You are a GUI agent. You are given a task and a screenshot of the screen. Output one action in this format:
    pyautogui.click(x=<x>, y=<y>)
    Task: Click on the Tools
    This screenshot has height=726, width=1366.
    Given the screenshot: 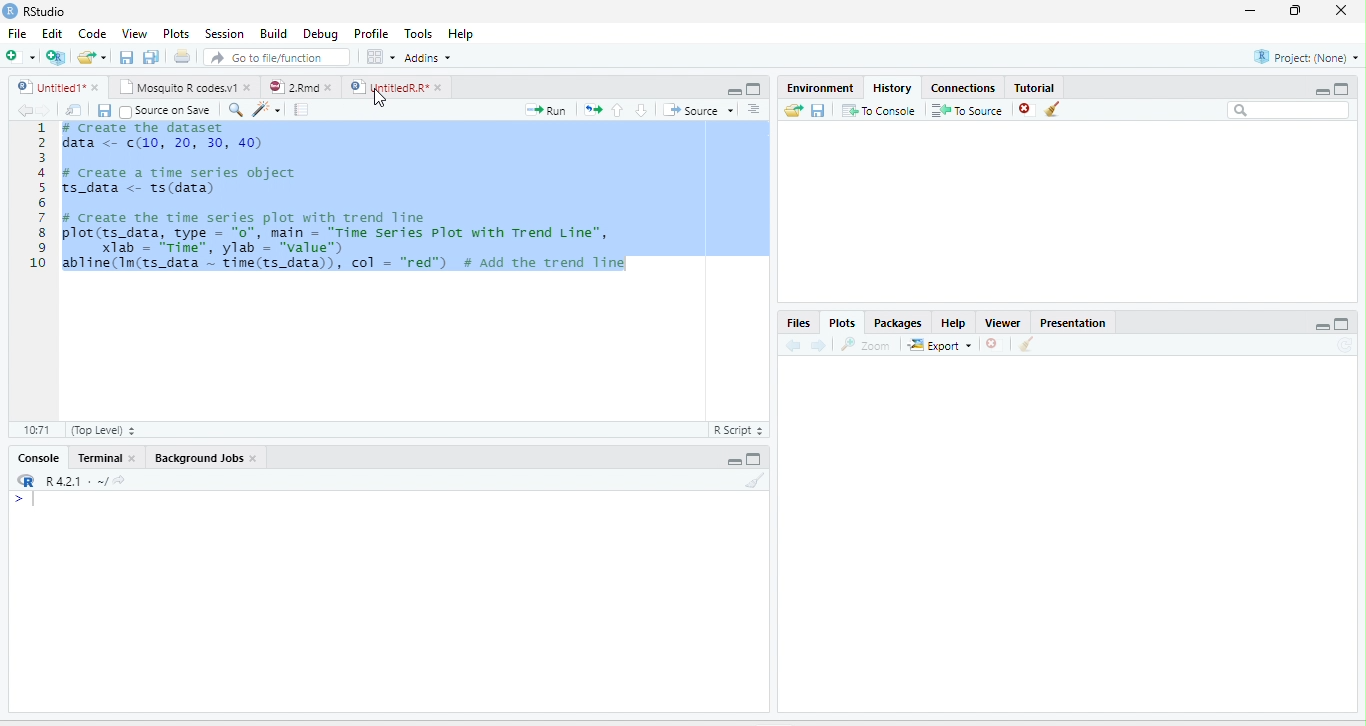 What is the action you would take?
    pyautogui.click(x=417, y=33)
    